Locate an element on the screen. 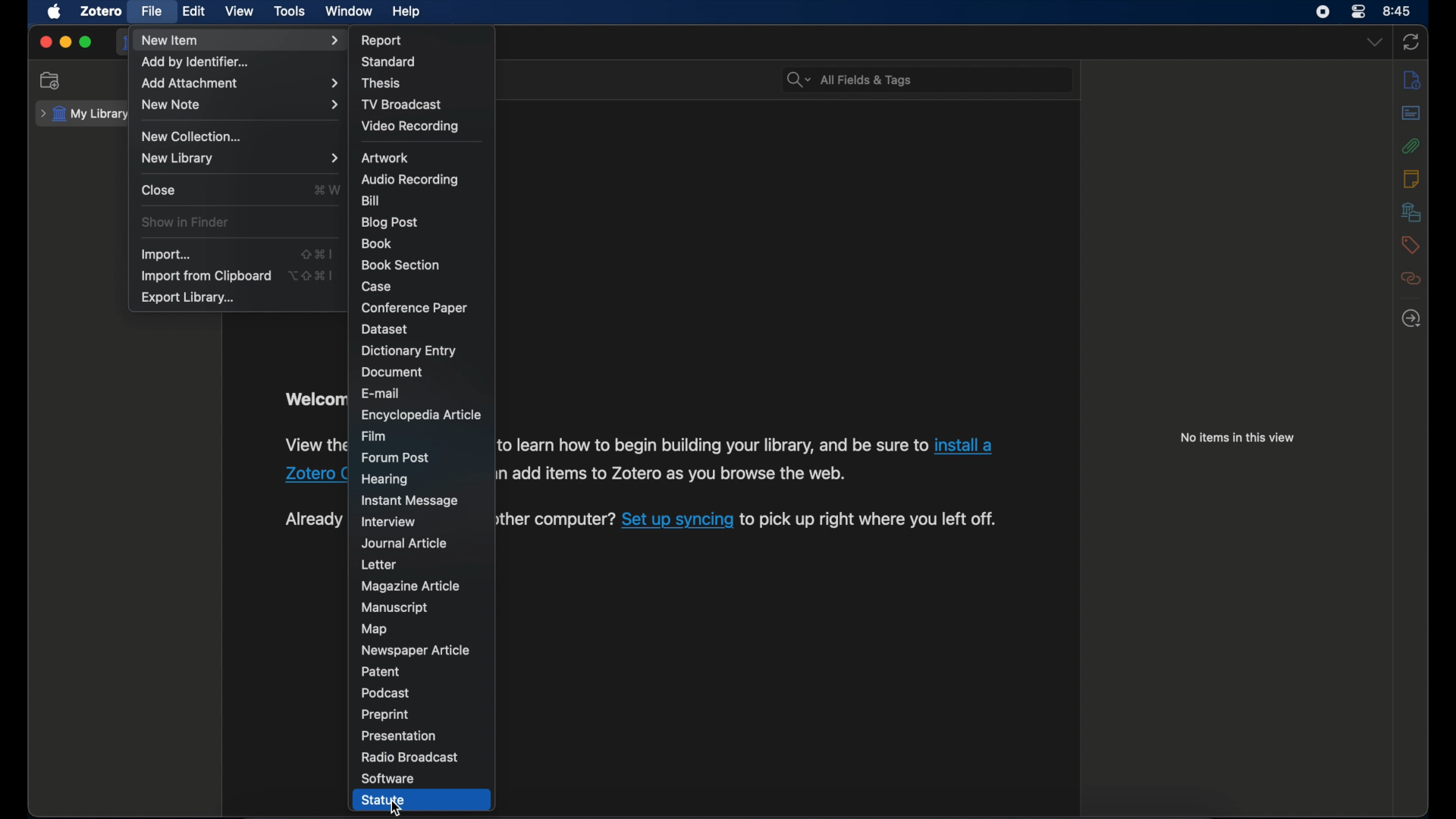 This screenshot has width=1456, height=819. maximize is located at coordinates (87, 43).